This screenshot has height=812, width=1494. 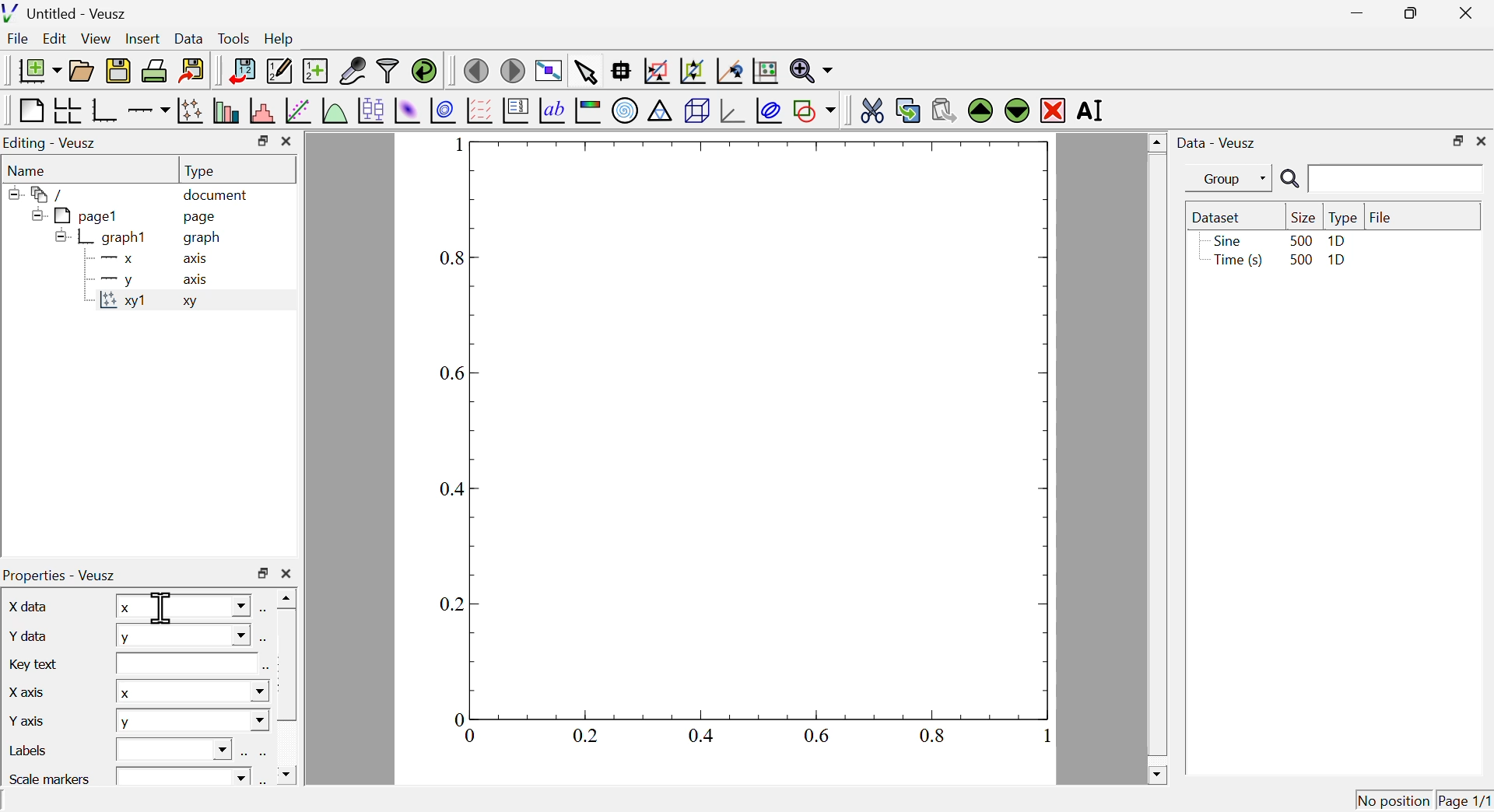 I want to click on polar graph, so click(x=626, y=111).